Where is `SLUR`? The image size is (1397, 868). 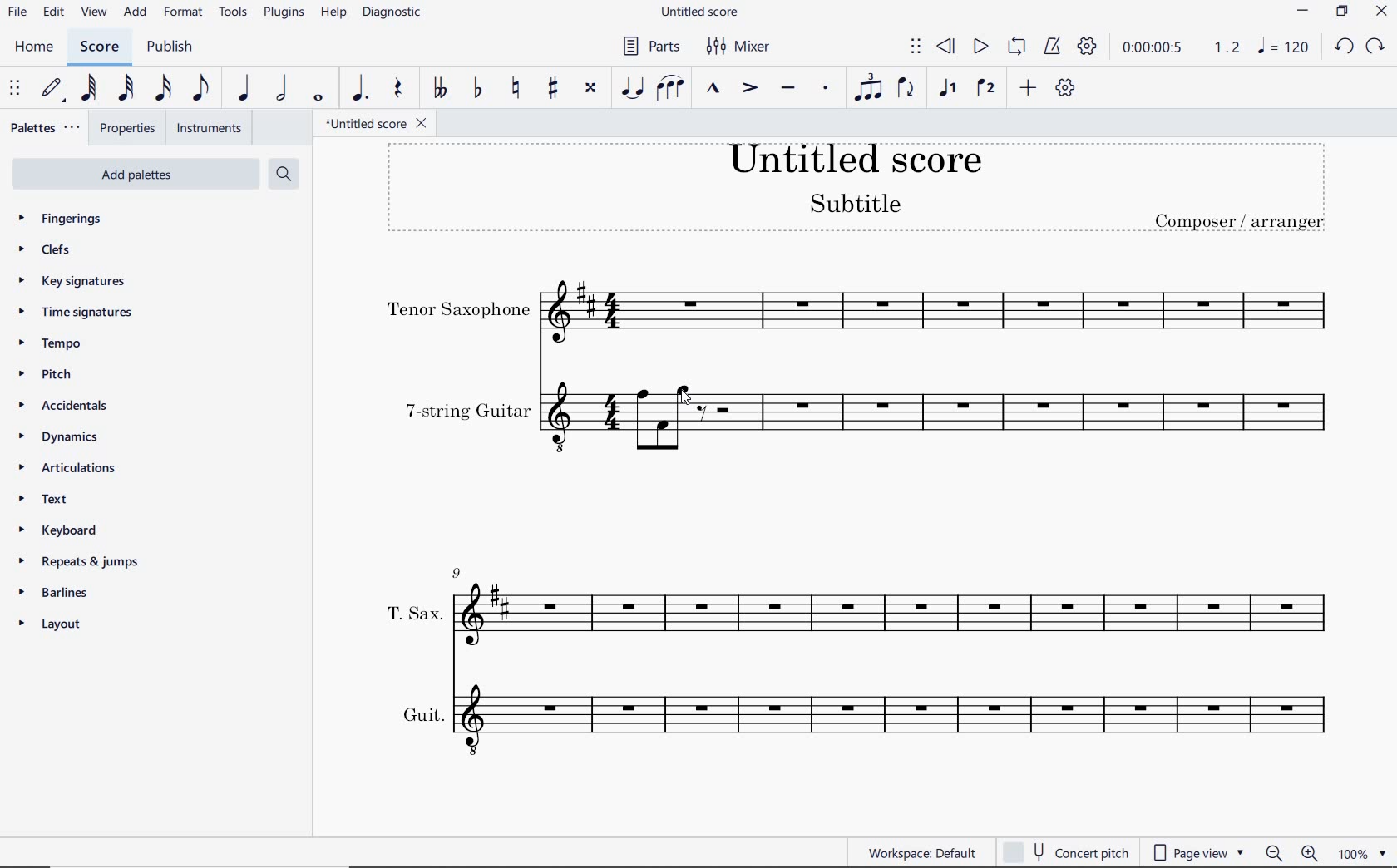 SLUR is located at coordinates (668, 90).